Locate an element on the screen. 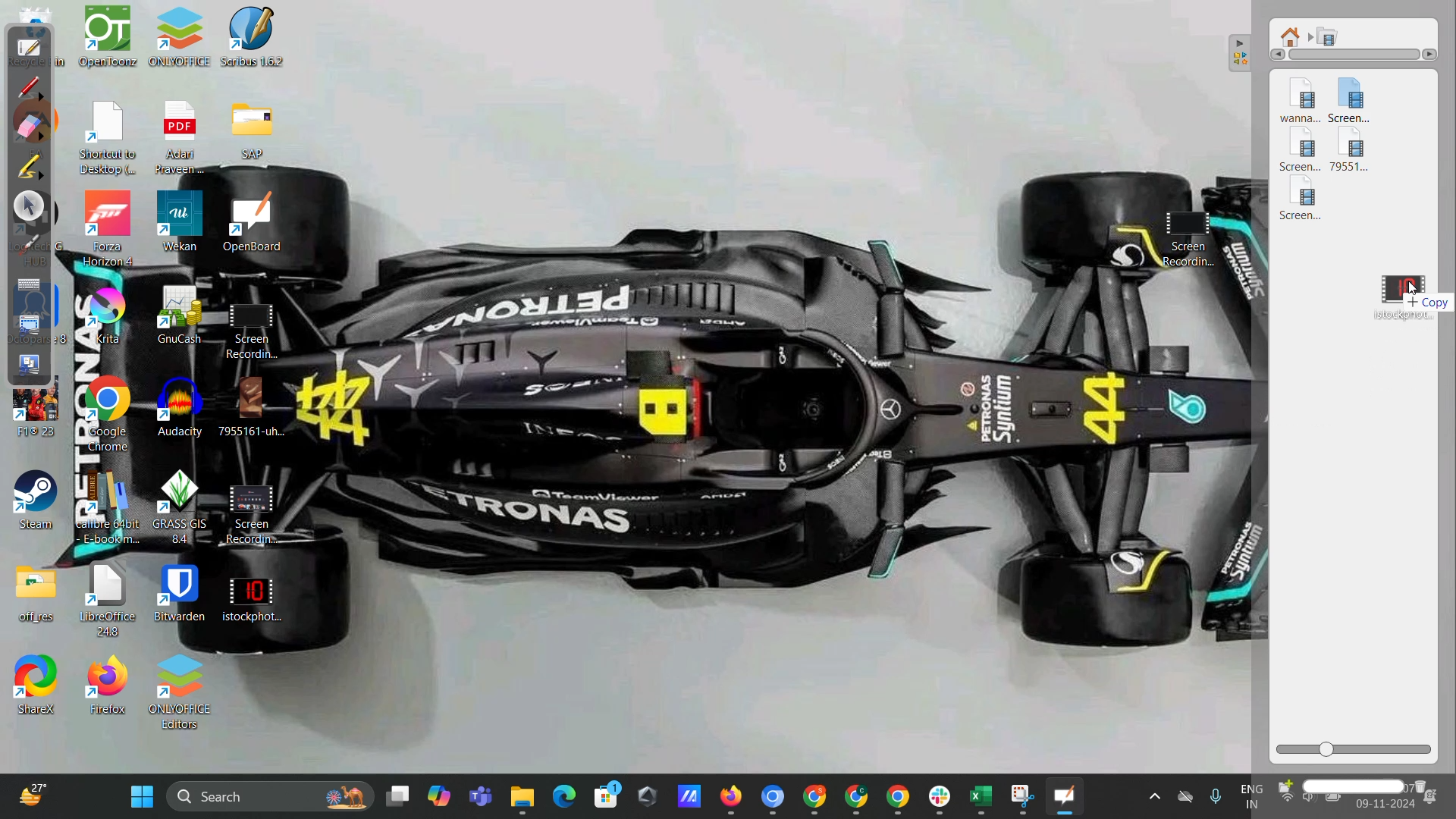 The height and width of the screenshot is (819, 1456). Screen Recording is located at coordinates (246, 513).